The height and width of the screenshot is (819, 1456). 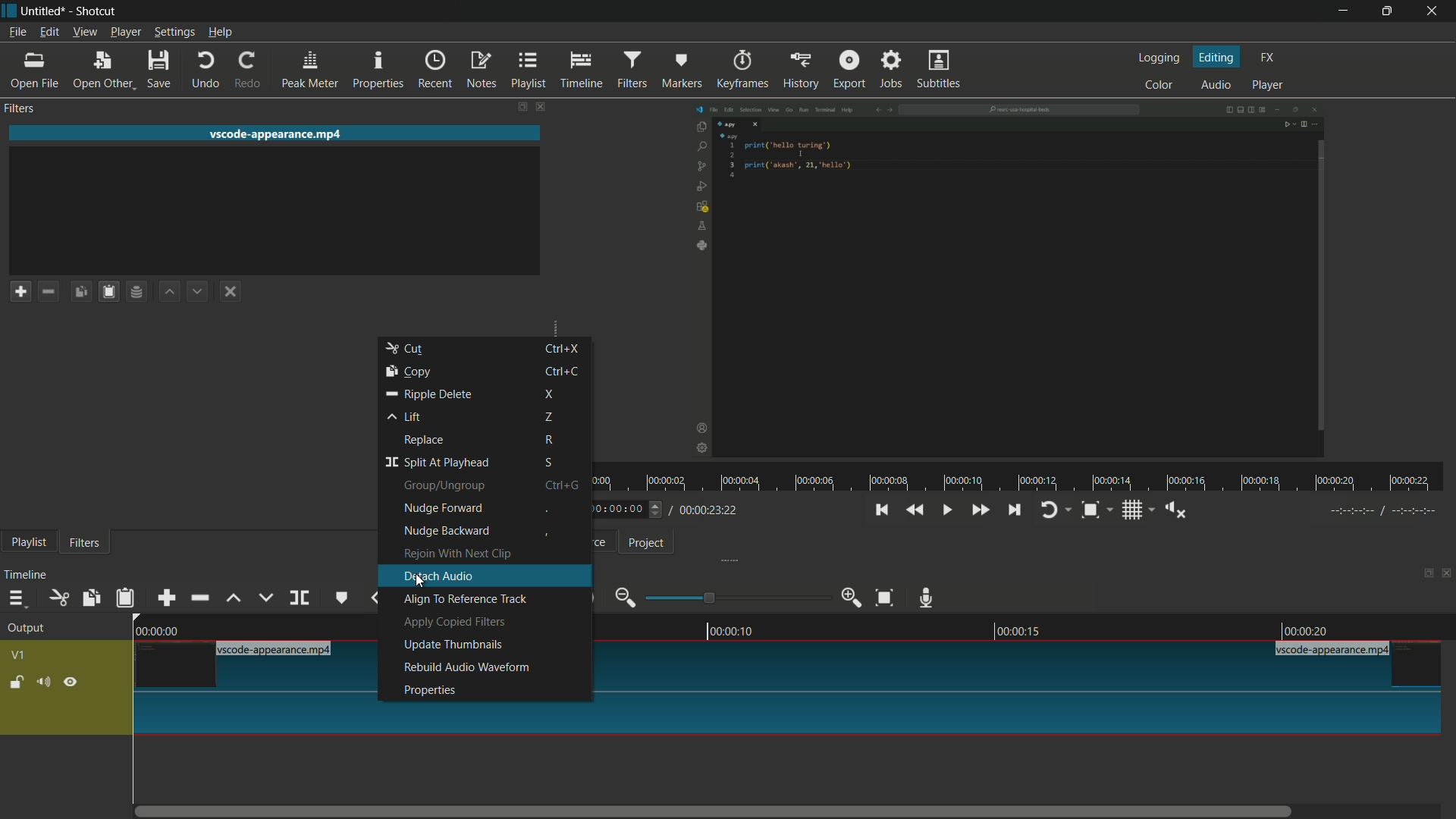 What do you see at coordinates (96, 12) in the screenshot?
I see `app name` at bounding box center [96, 12].